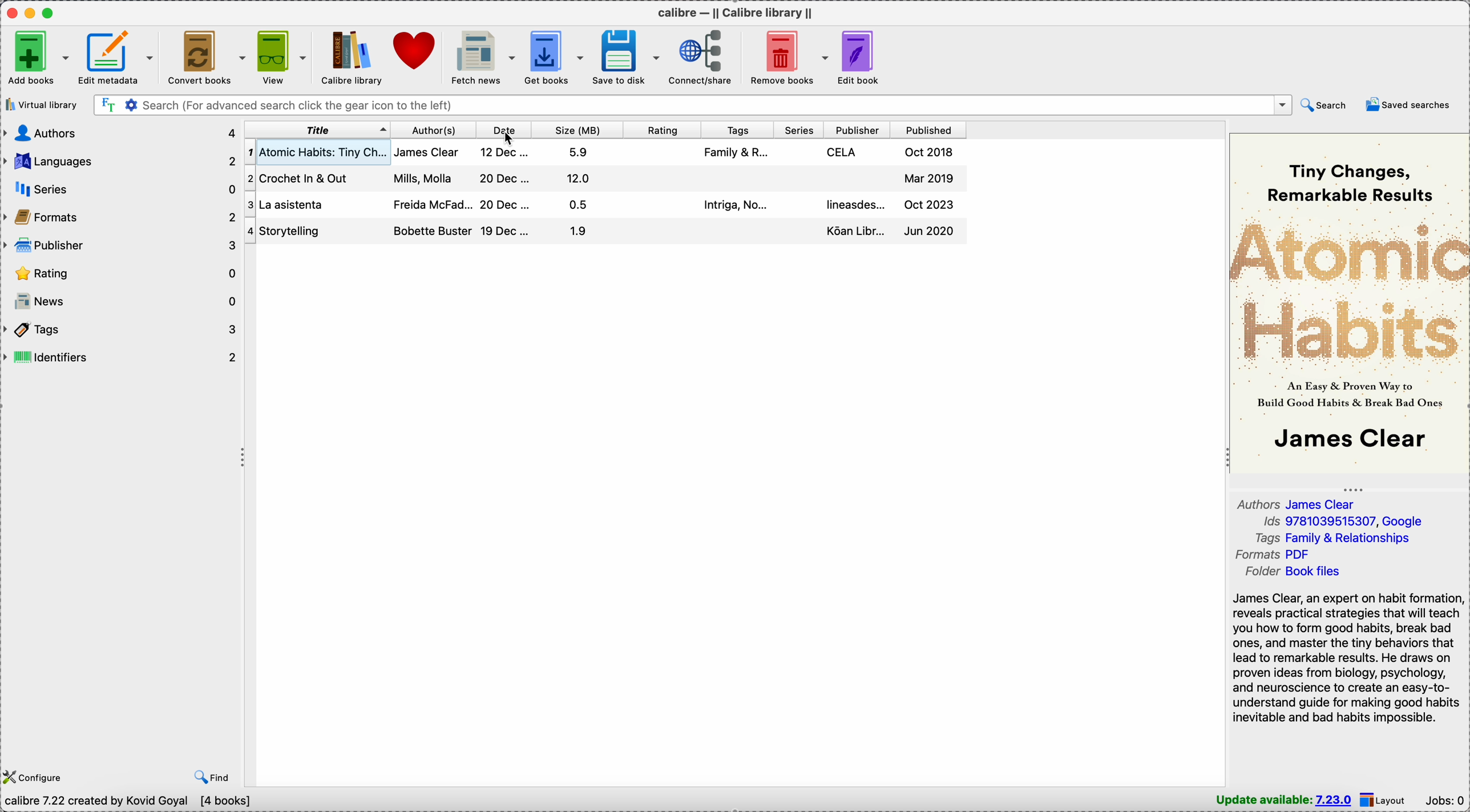 This screenshot has height=812, width=1470. What do you see at coordinates (1298, 503) in the screenshot?
I see `authors James Clear` at bounding box center [1298, 503].